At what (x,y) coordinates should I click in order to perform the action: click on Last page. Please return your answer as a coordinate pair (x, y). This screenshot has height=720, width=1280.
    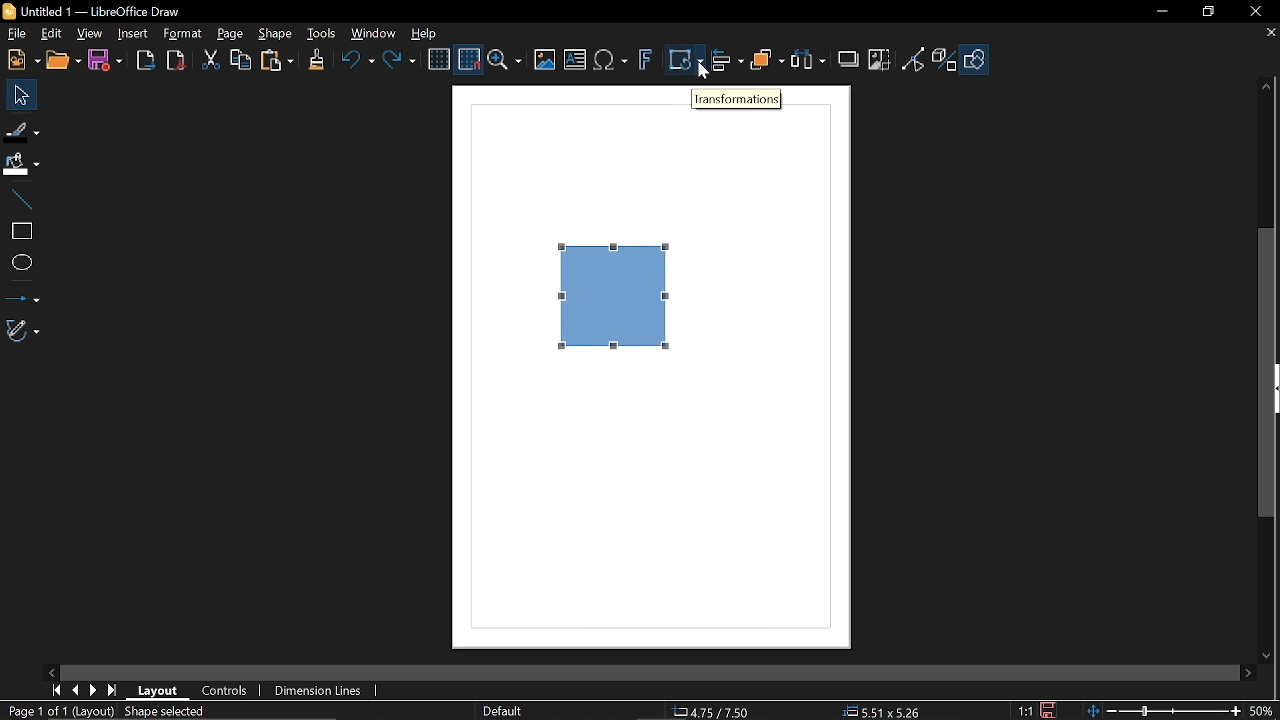
    Looking at the image, I should click on (112, 691).